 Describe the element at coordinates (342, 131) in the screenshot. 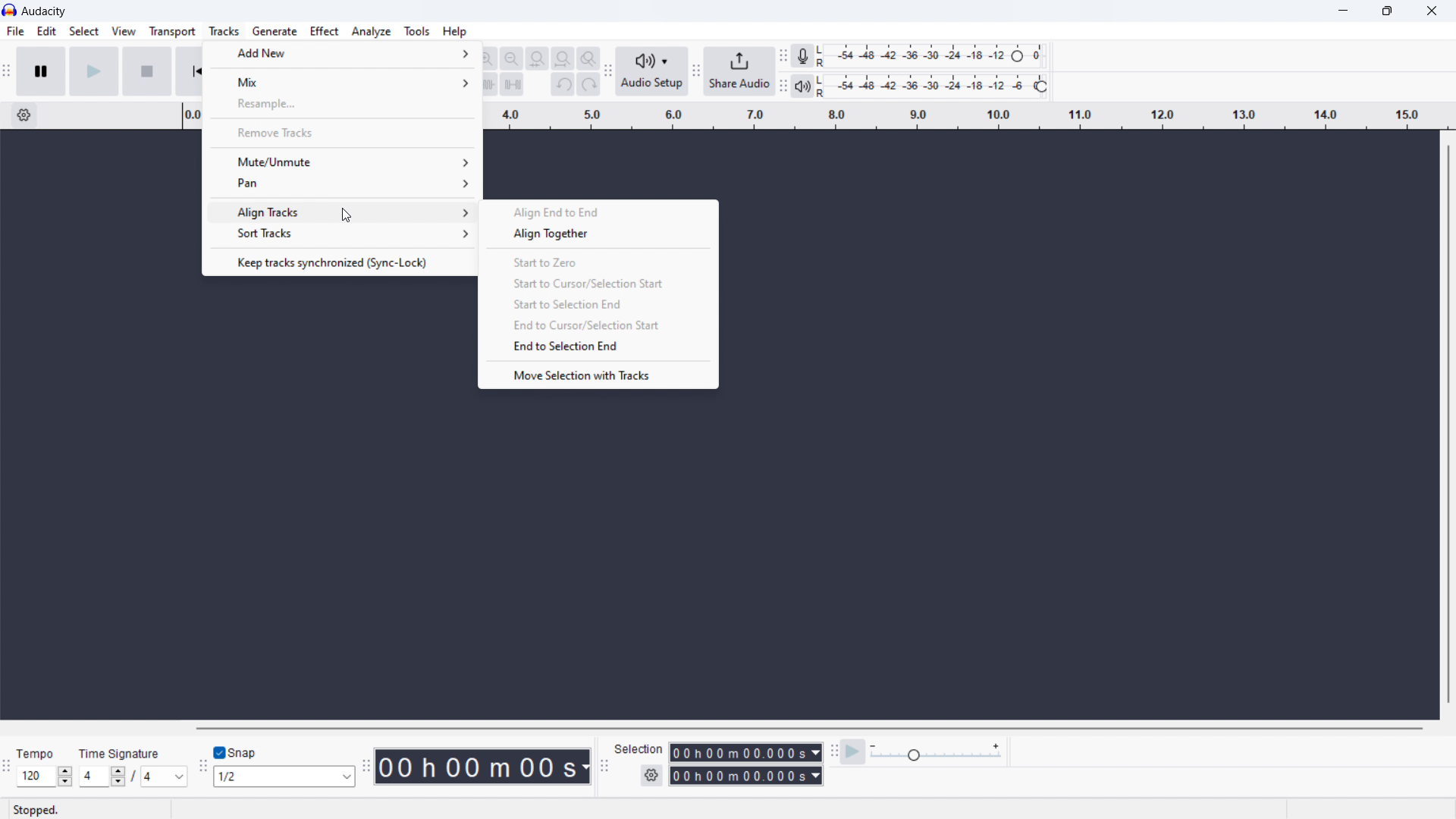

I see `remove tracks` at that location.